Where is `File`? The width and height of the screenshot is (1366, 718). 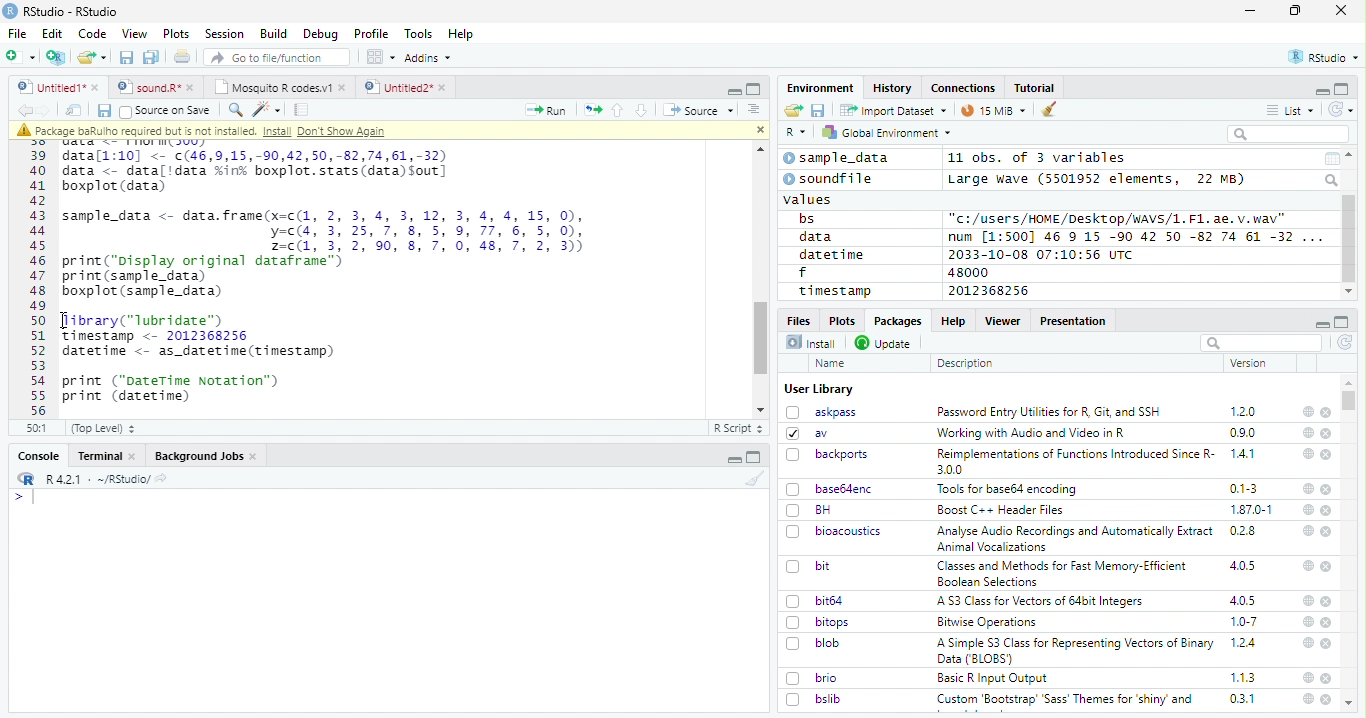 File is located at coordinates (16, 33).